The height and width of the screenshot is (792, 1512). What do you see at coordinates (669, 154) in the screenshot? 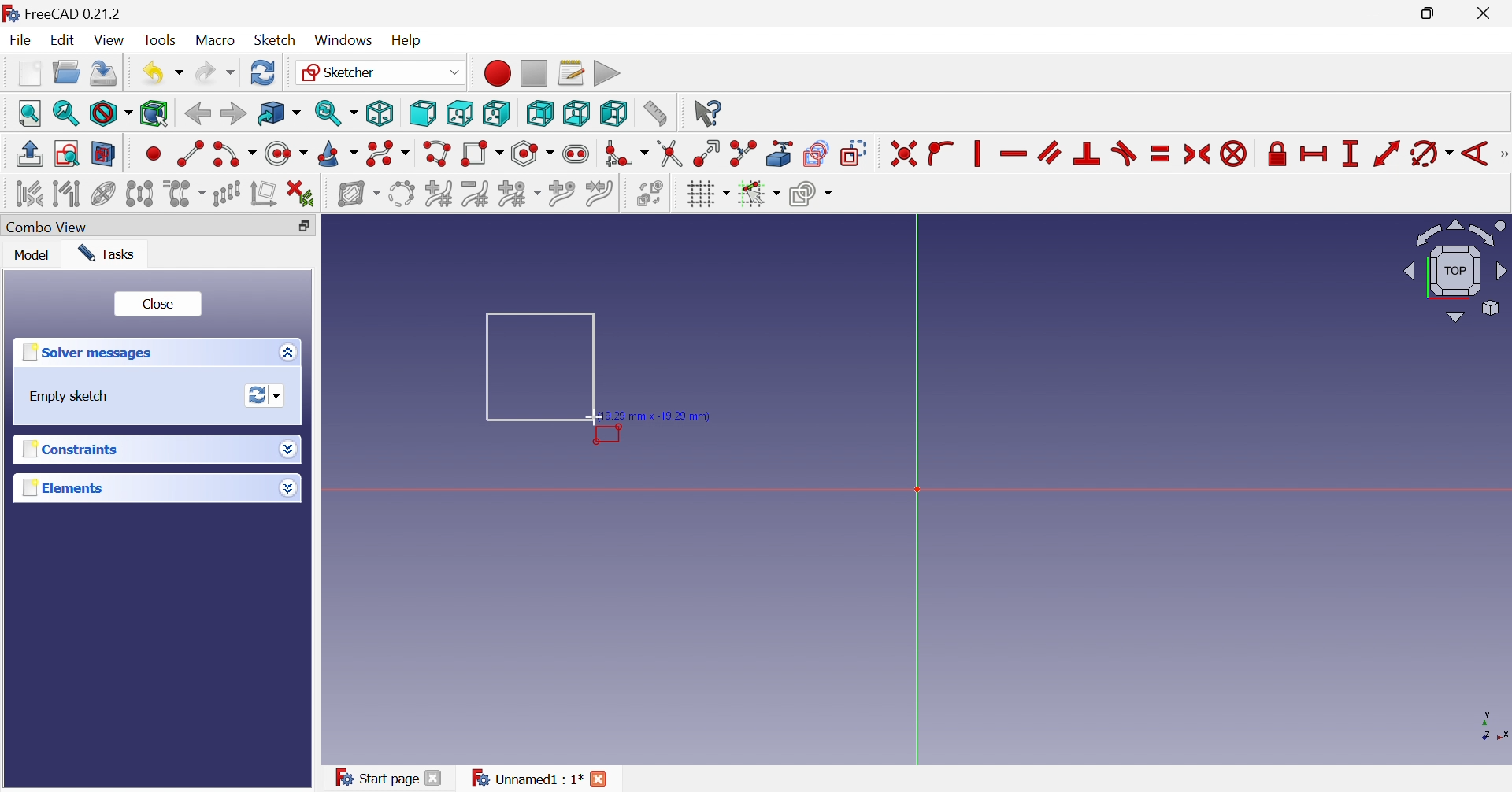
I see `Trim edge` at bounding box center [669, 154].